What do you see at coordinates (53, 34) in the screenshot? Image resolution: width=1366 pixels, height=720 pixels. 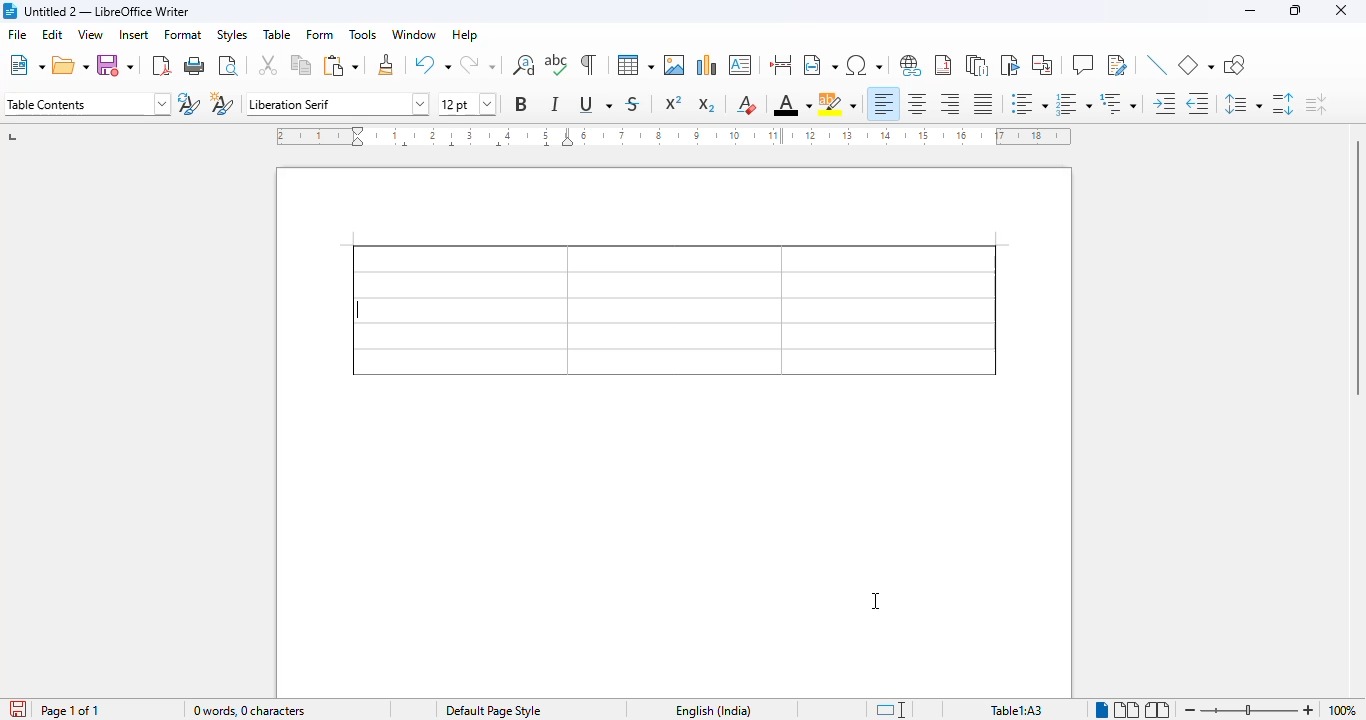 I see `edit` at bounding box center [53, 34].